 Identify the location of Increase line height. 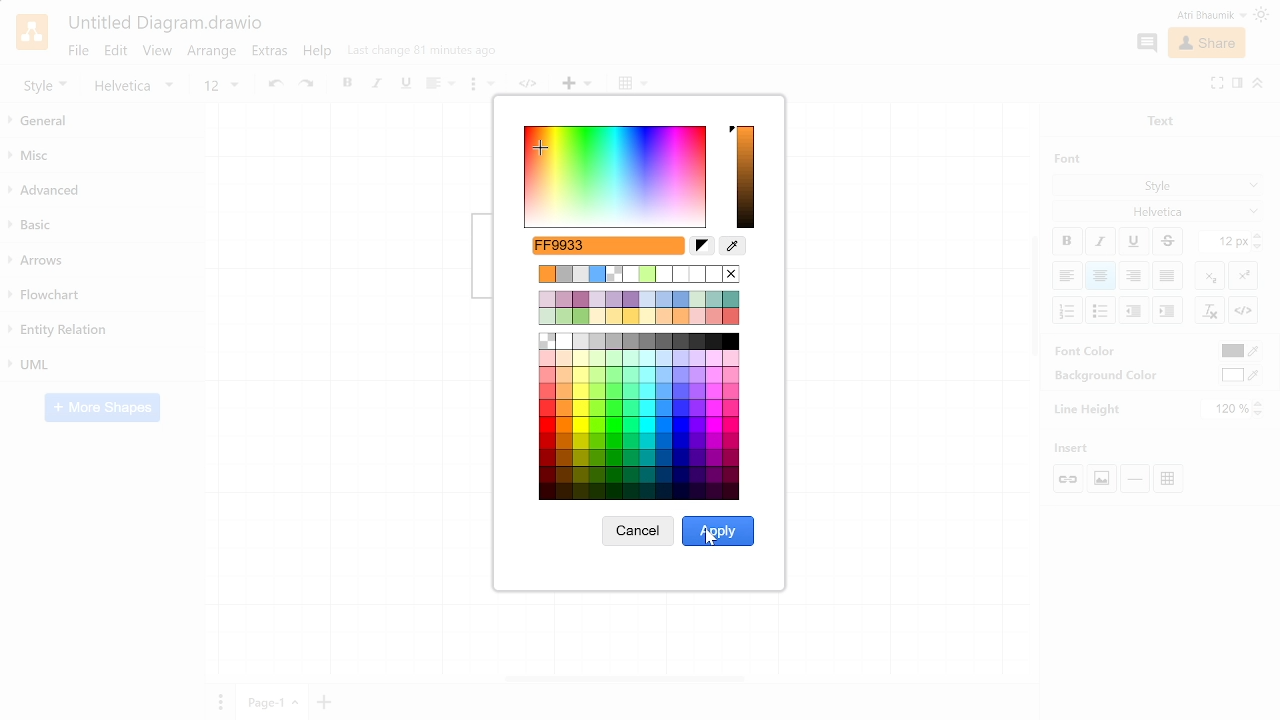
(1260, 403).